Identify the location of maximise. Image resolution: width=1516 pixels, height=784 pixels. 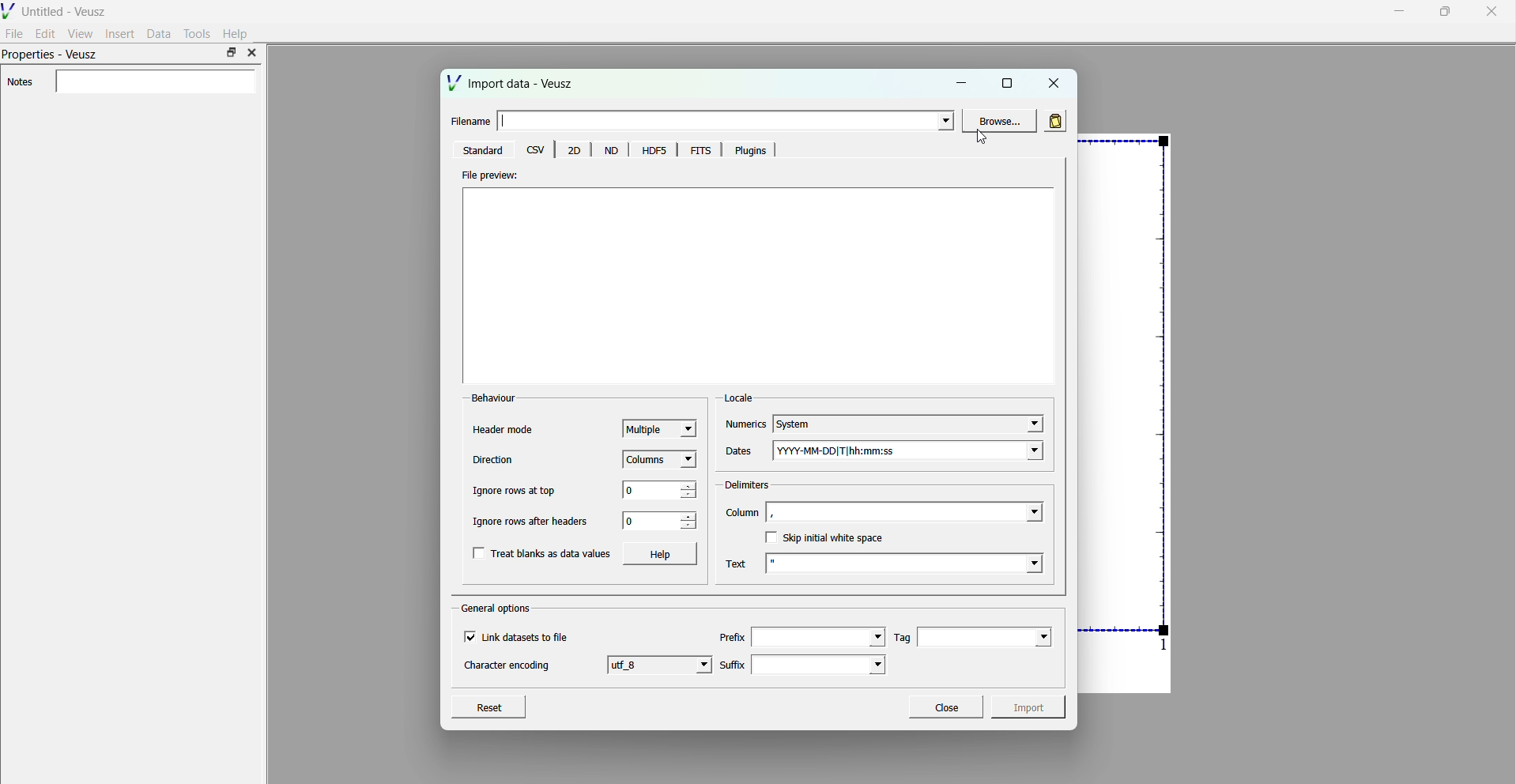
(231, 52).